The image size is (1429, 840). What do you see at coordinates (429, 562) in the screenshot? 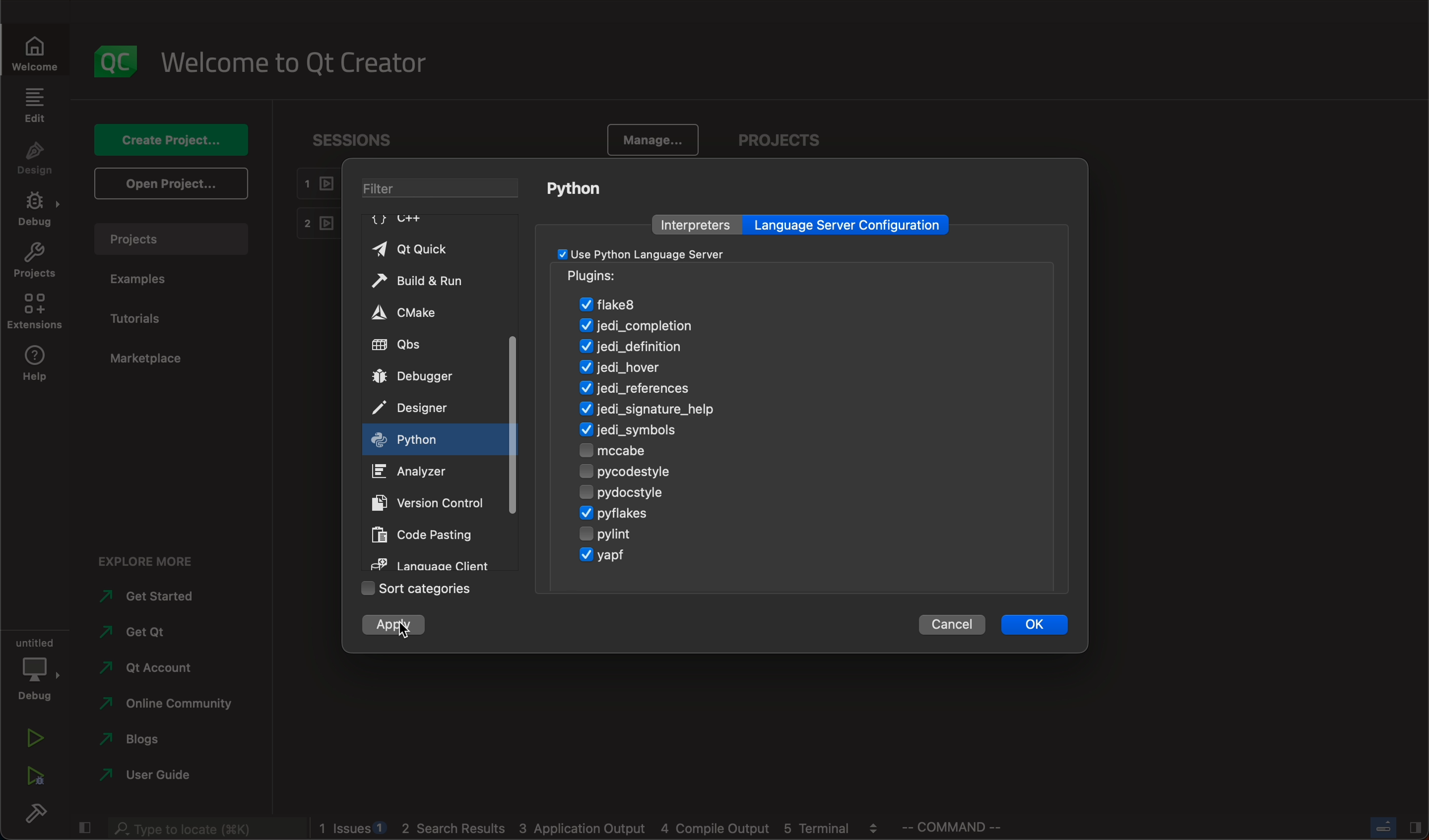
I see `language` at bounding box center [429, 562].